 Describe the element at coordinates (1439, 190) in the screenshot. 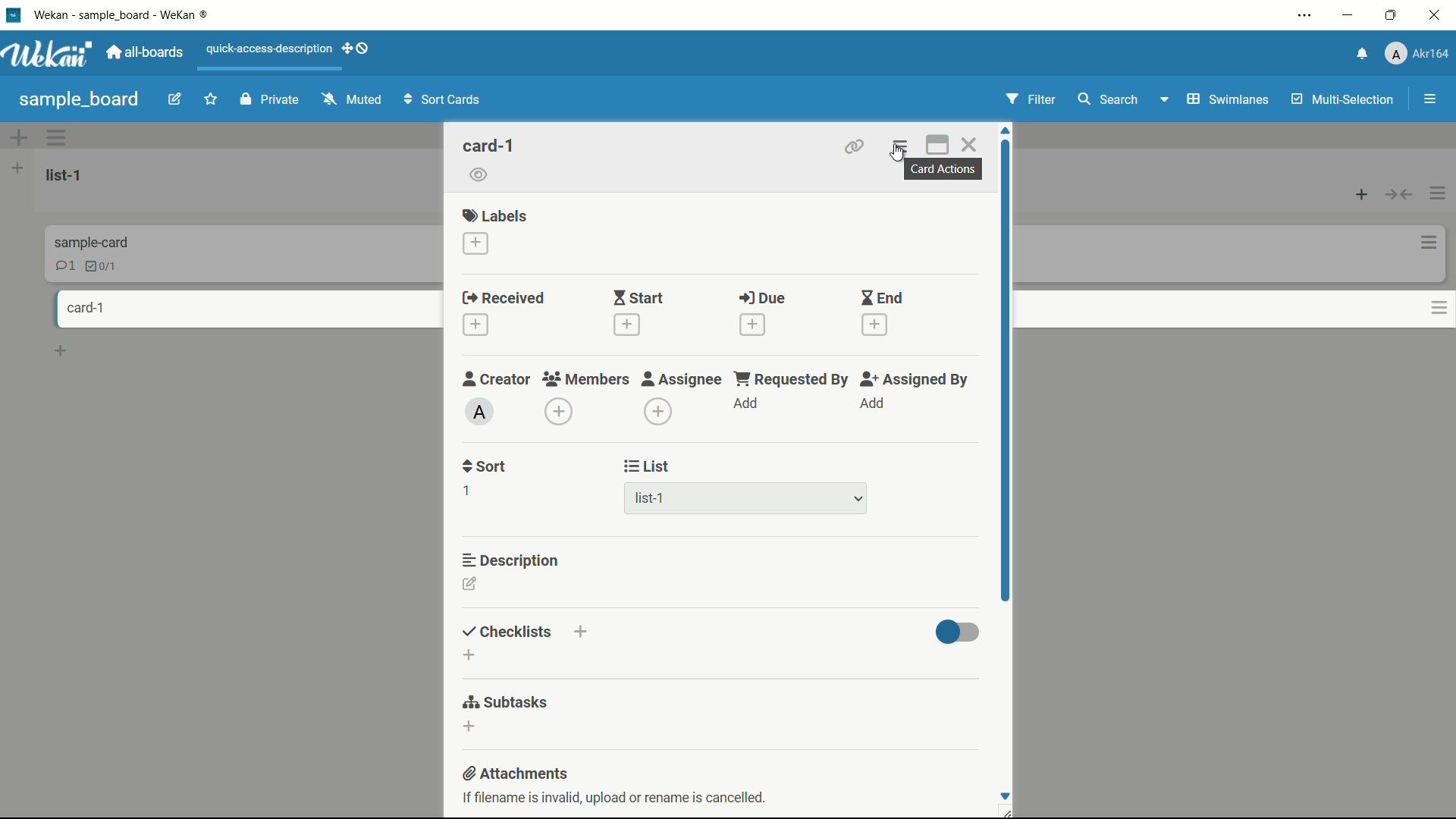

I see `list actions` at that location.